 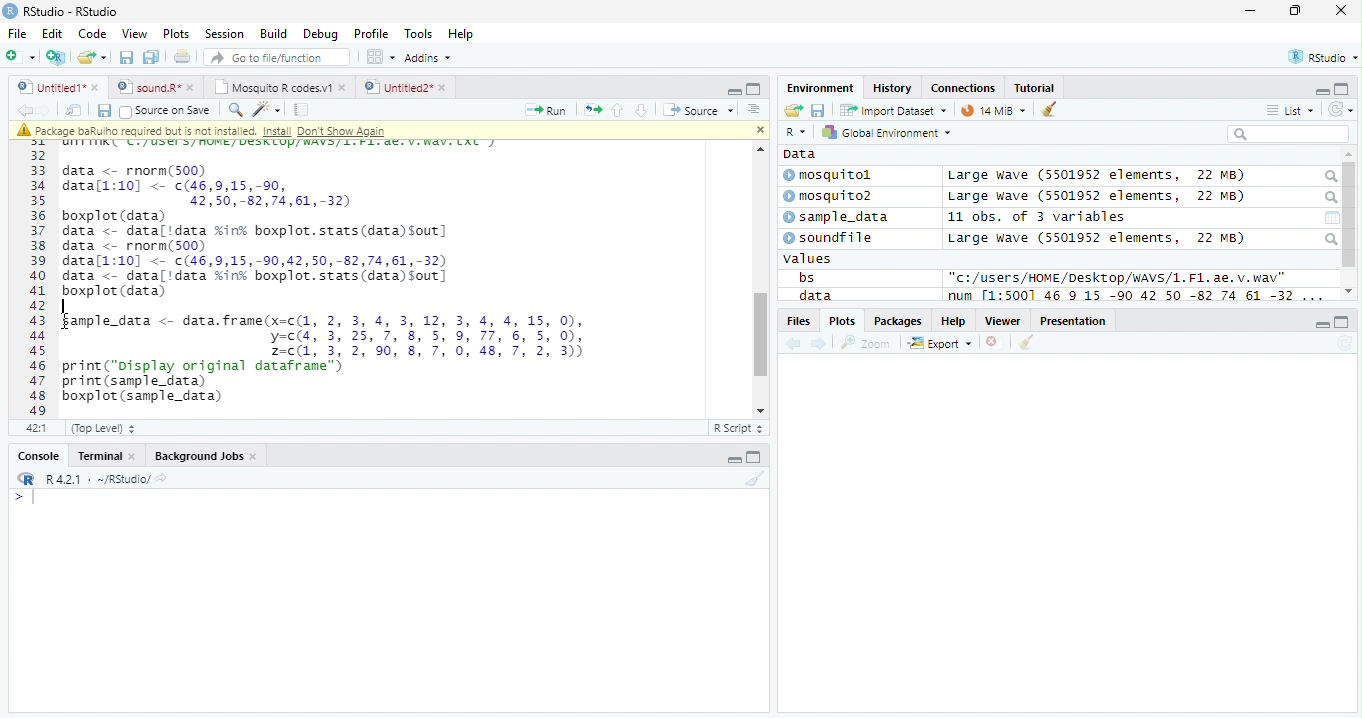 I want to click on Addins, so click(x=430, y=57).